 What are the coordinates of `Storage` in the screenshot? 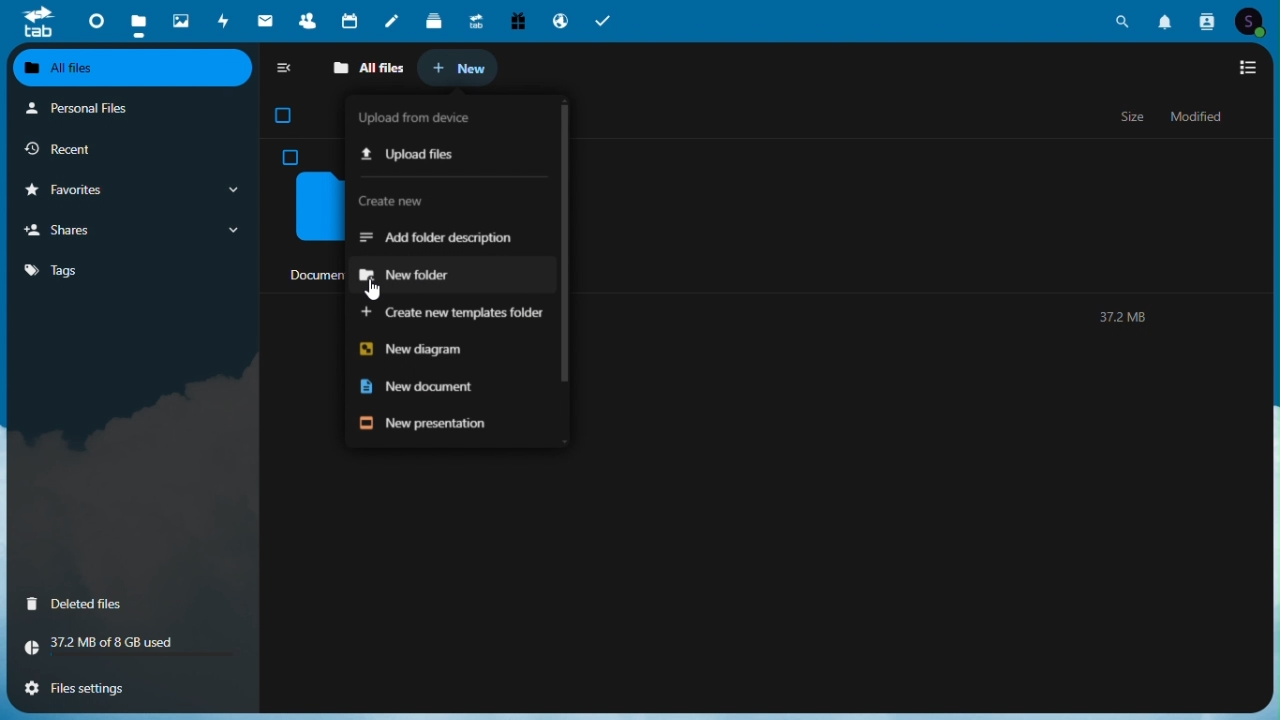 It's located at (126, 649).